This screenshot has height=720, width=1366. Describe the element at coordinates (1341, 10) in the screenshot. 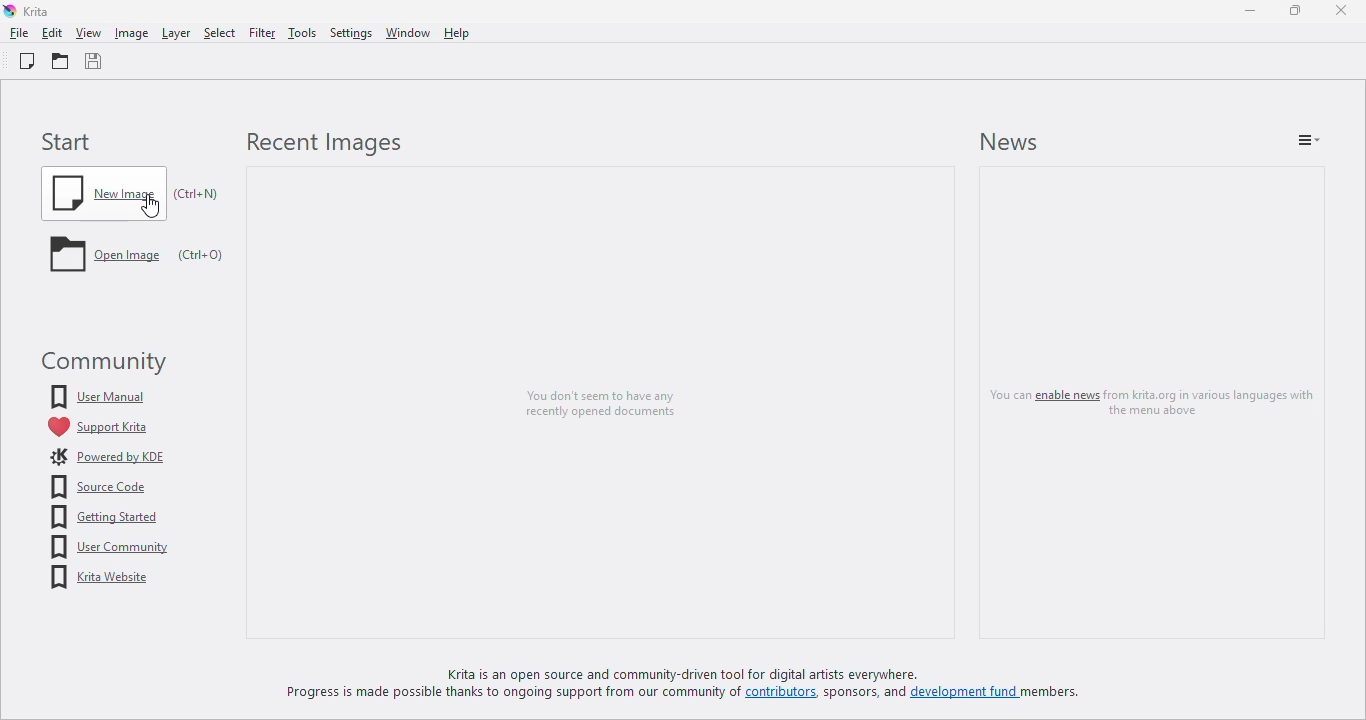

I see `close` at that location.